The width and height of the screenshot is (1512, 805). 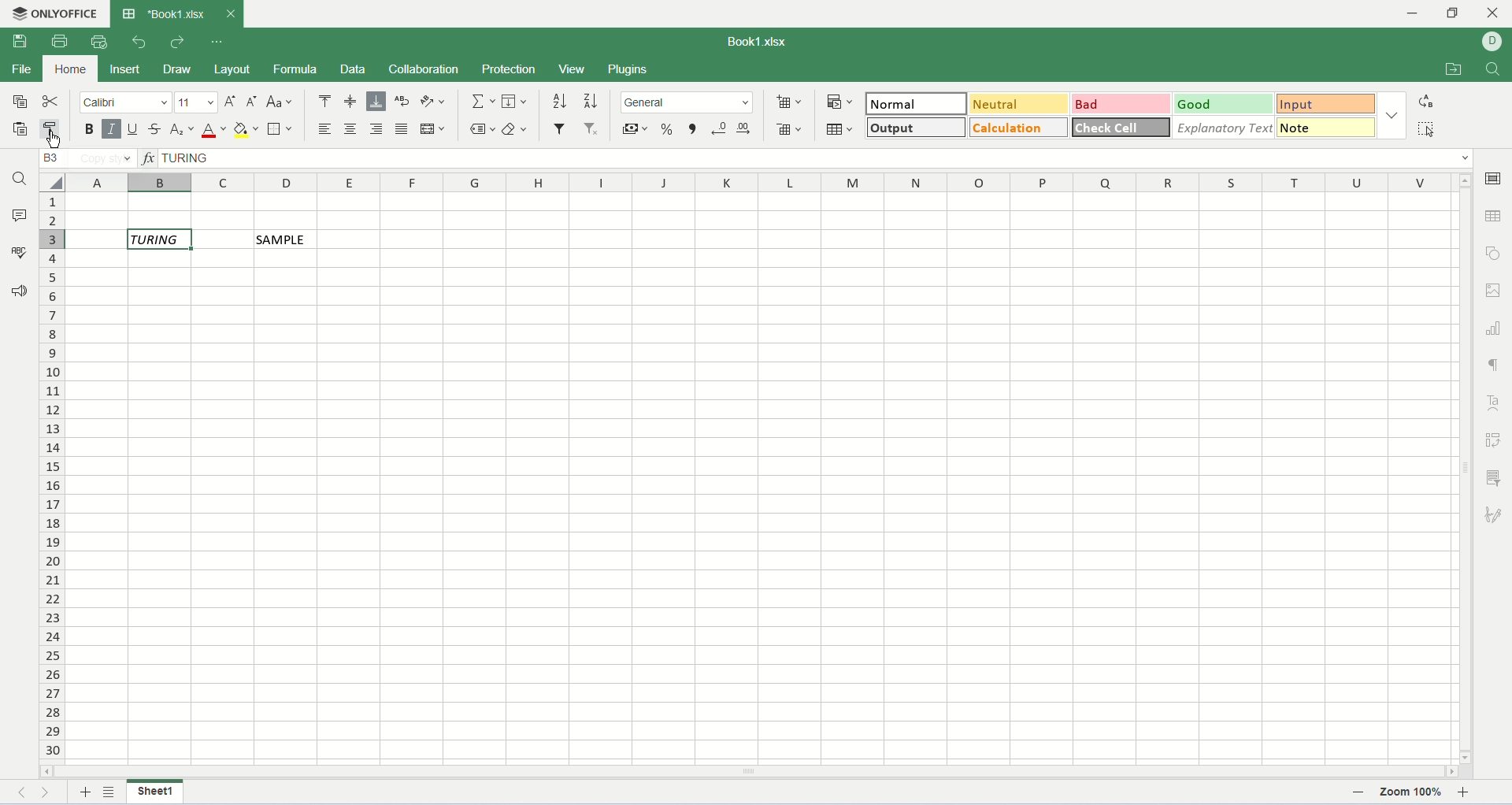 What do you see at coordinates (133, 131) in the screenshot?
I see `underline` at bounding box center [133, 131].